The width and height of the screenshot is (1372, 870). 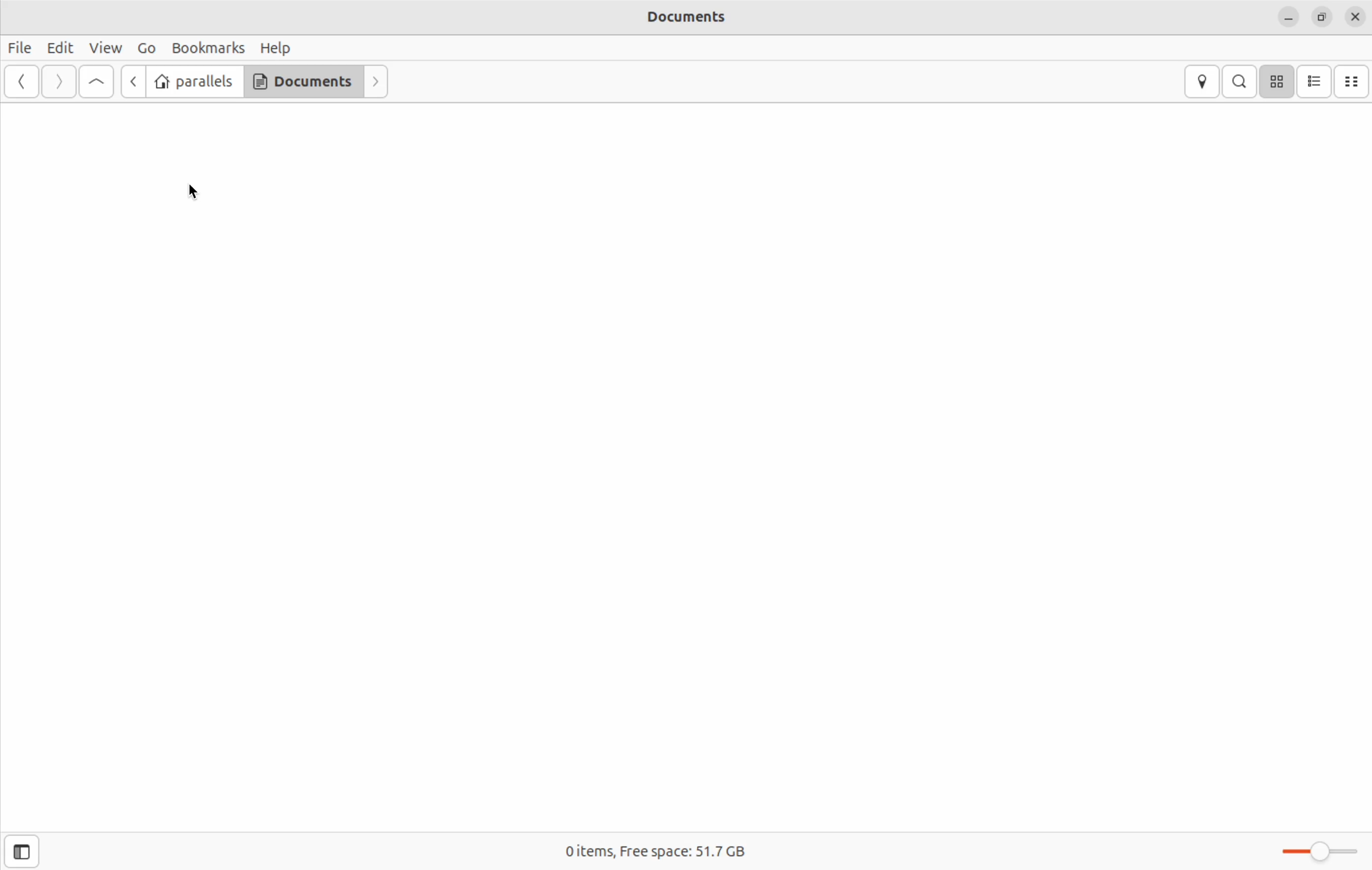 I want to click on 0 items, Free space: 51.7 GB, so click(x=656, y=848).